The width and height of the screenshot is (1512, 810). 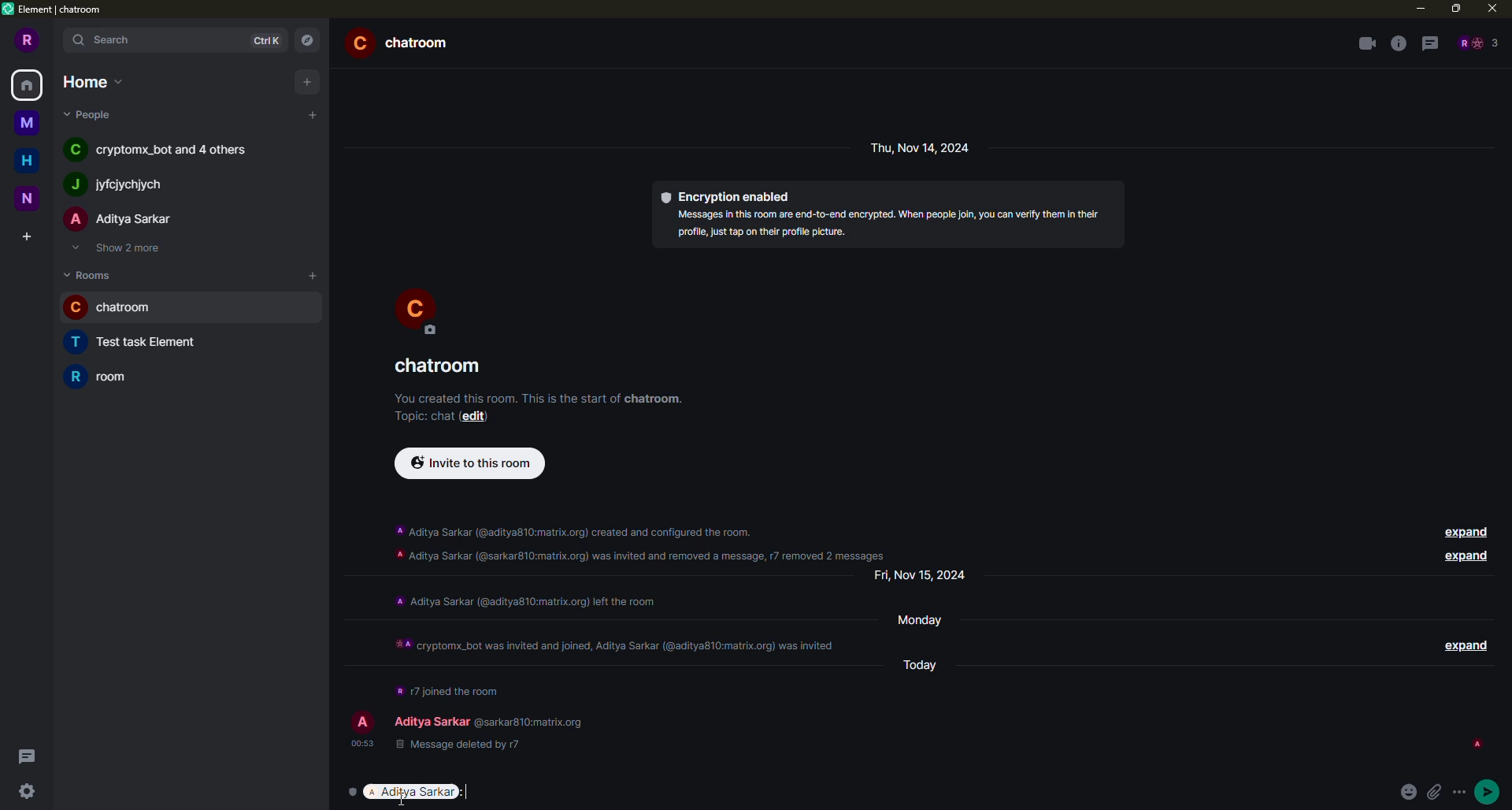 I want to click on expand, so click(x=1463, y=556).